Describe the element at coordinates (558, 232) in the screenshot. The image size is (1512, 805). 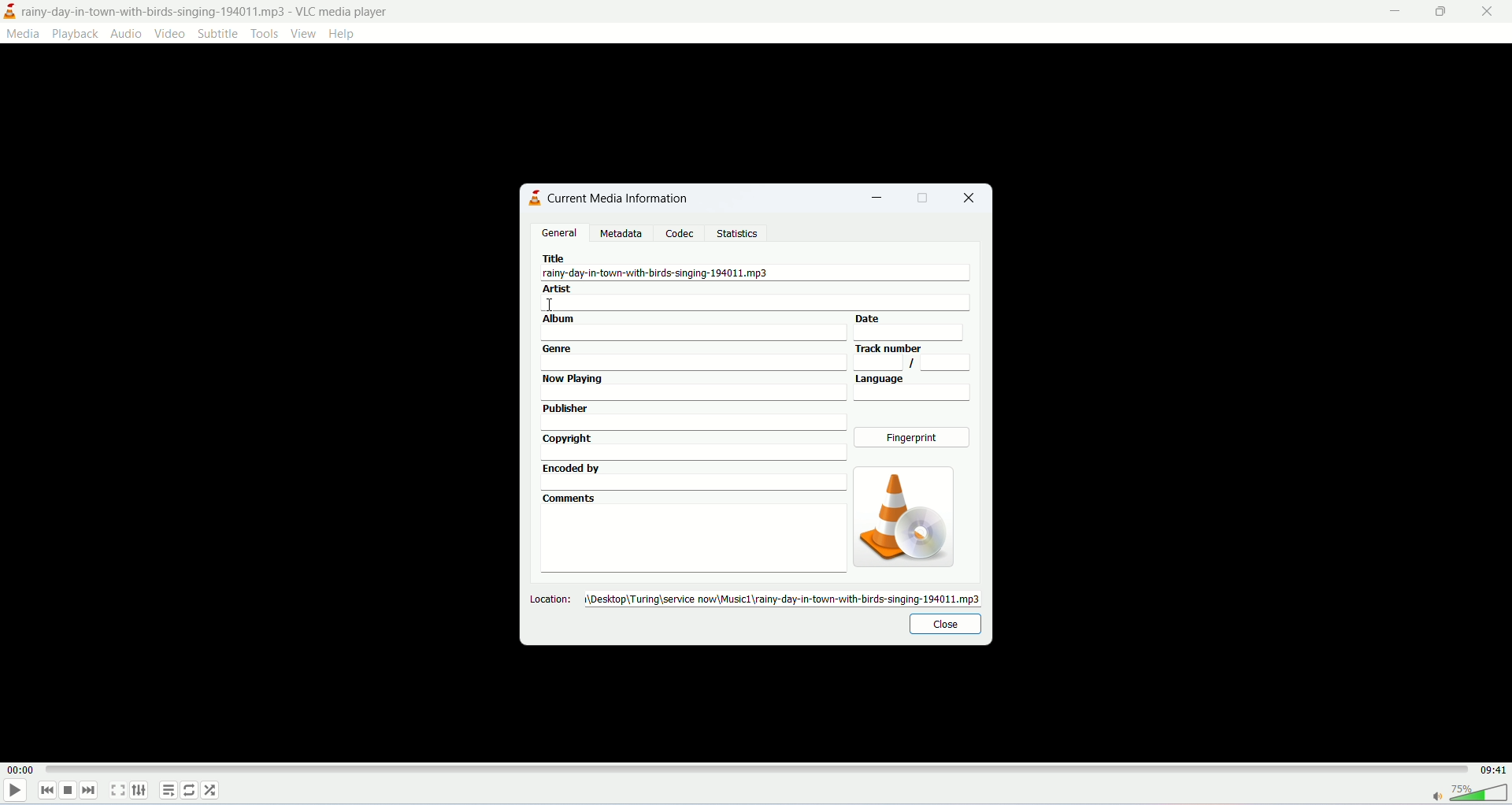
I see `general` at that location.